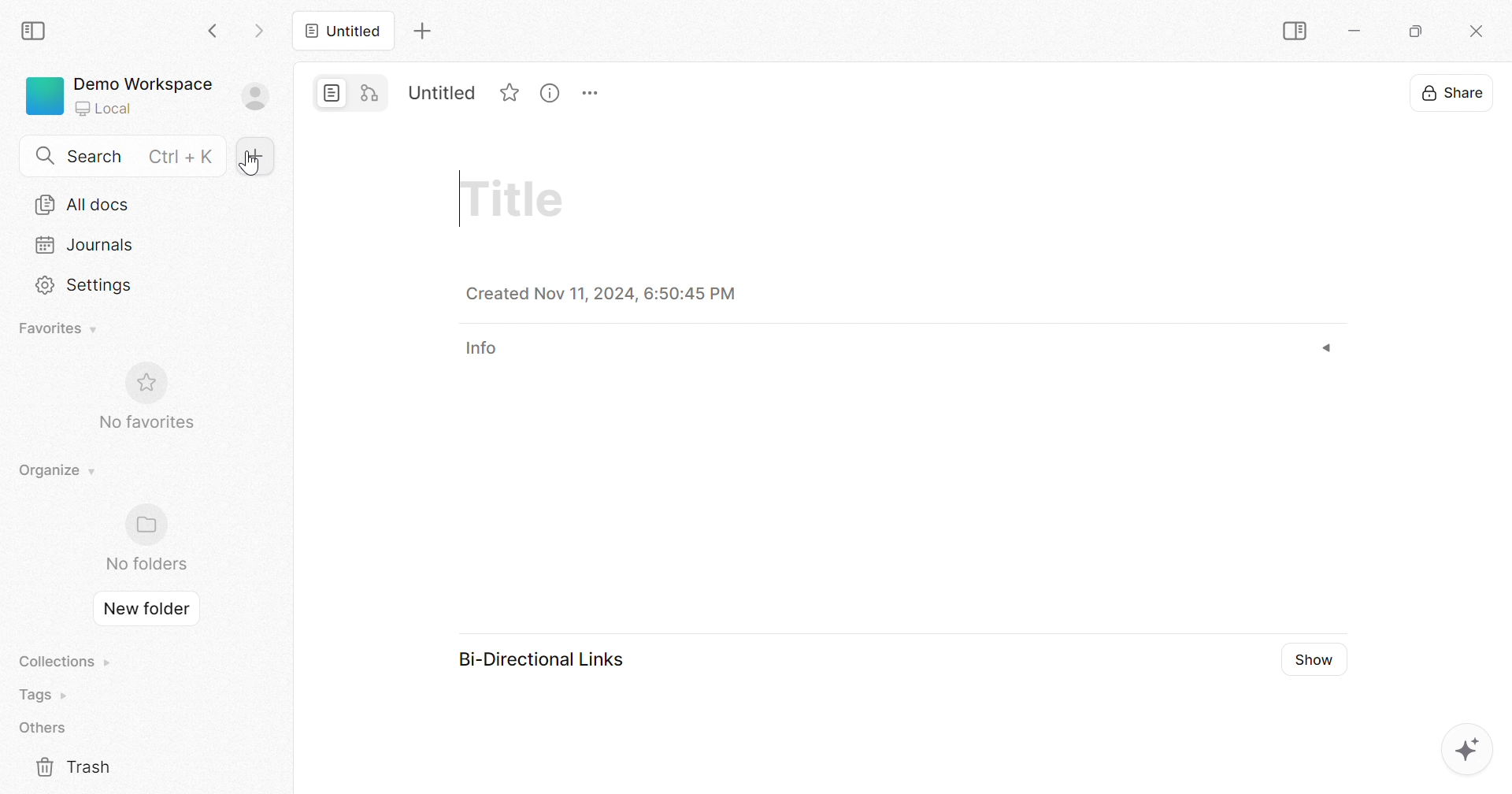  Describe the element at coordinates (73, 766) in the screenshot. I see `Trash` at that location.